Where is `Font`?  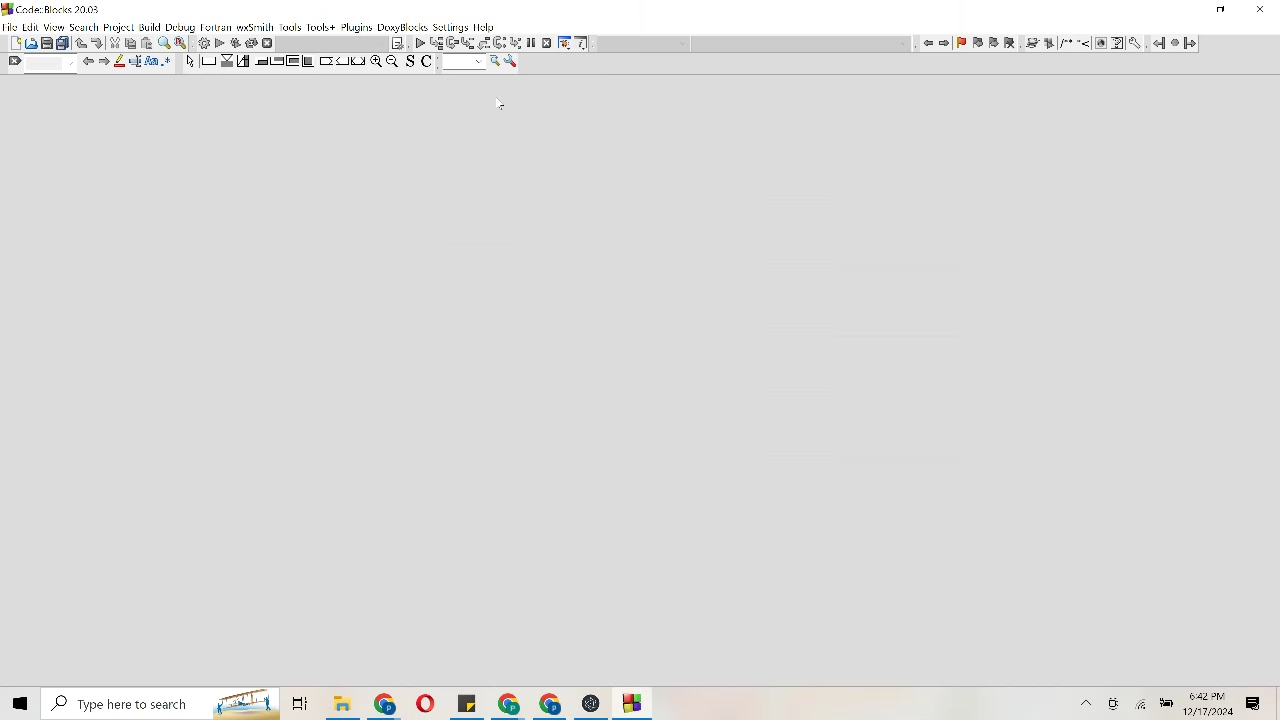 Font is located at coordinates (153, 62).